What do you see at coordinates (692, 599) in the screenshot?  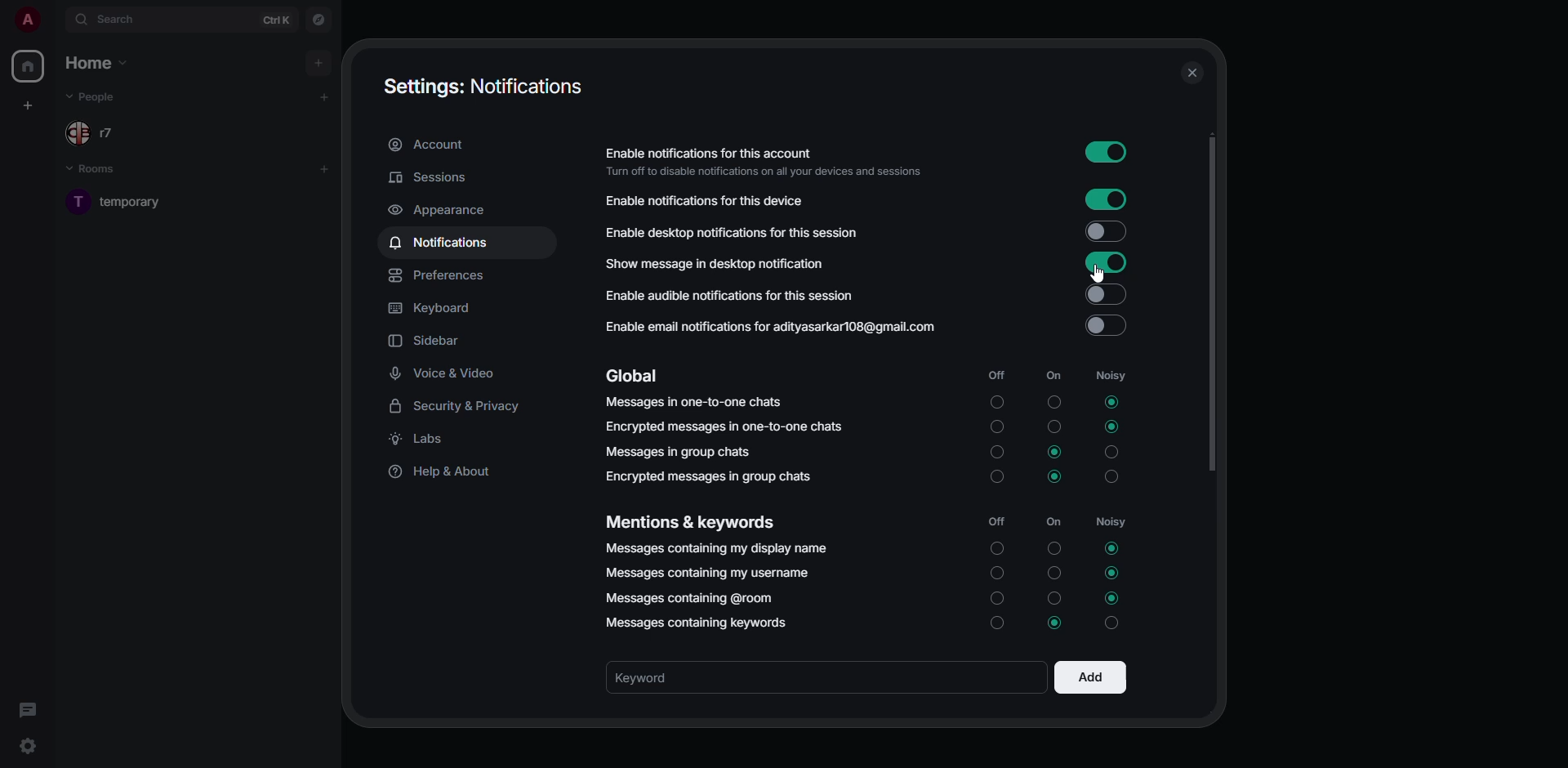 I see `messages containing @room` at bounding box center [692, 599].